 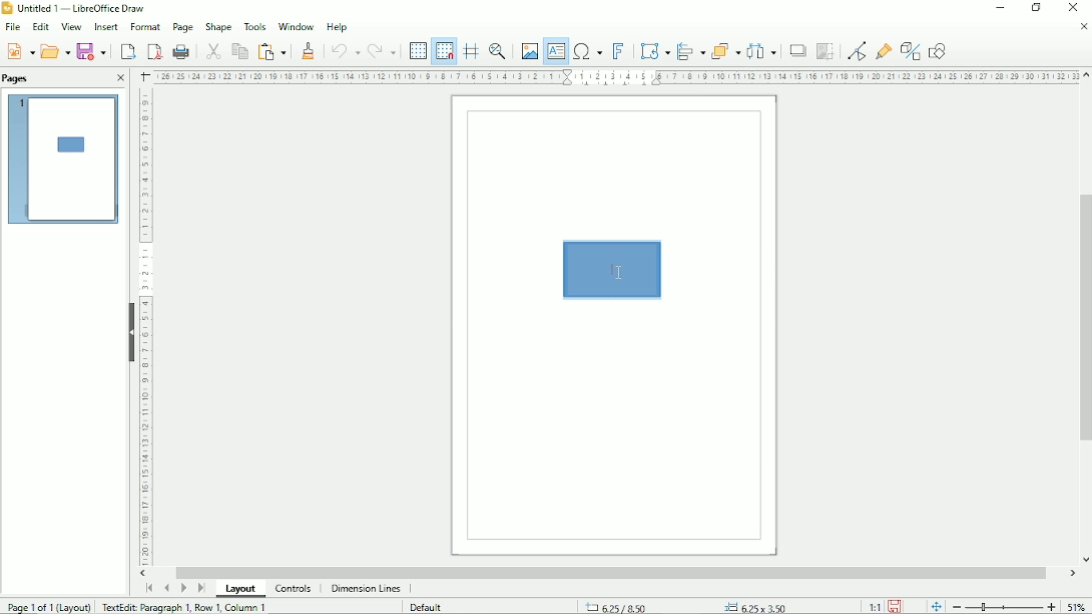 What do you see at coordinates (131, 332) in the screenshot?
I see `Hide` at bounding box center [131, 332].